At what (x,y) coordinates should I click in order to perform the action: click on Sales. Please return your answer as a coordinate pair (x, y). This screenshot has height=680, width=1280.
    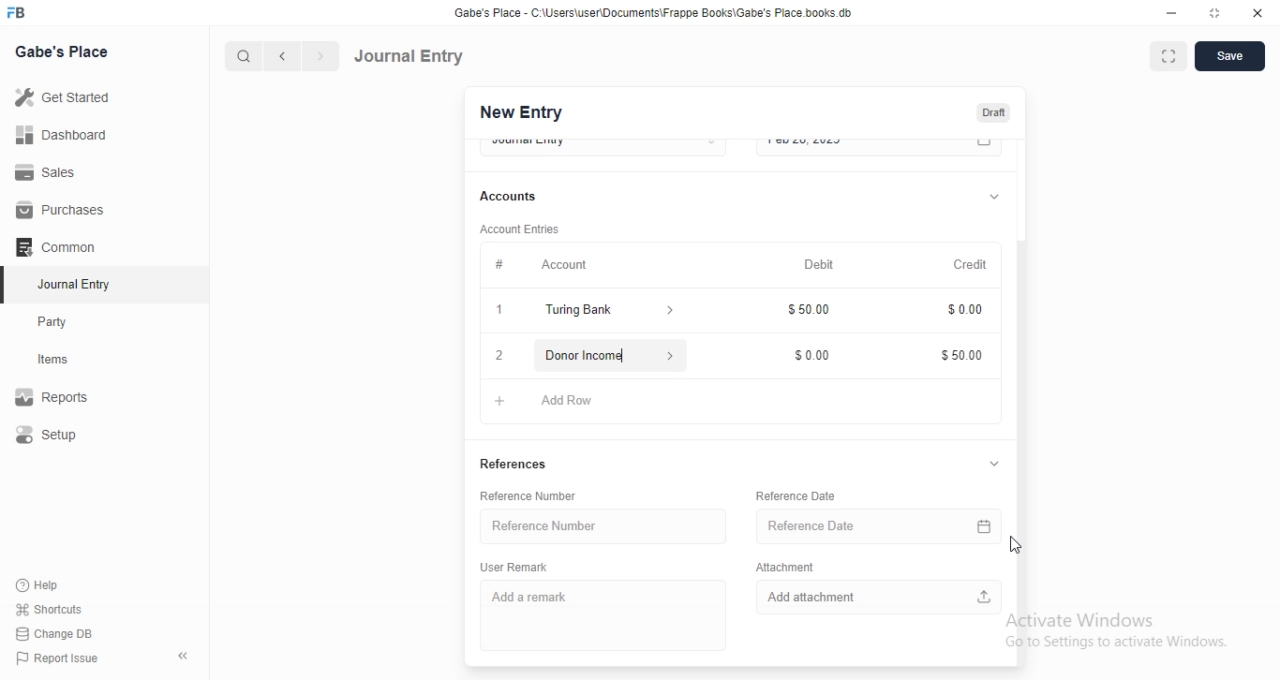
    Looking at the image, I should click on (64, 171).